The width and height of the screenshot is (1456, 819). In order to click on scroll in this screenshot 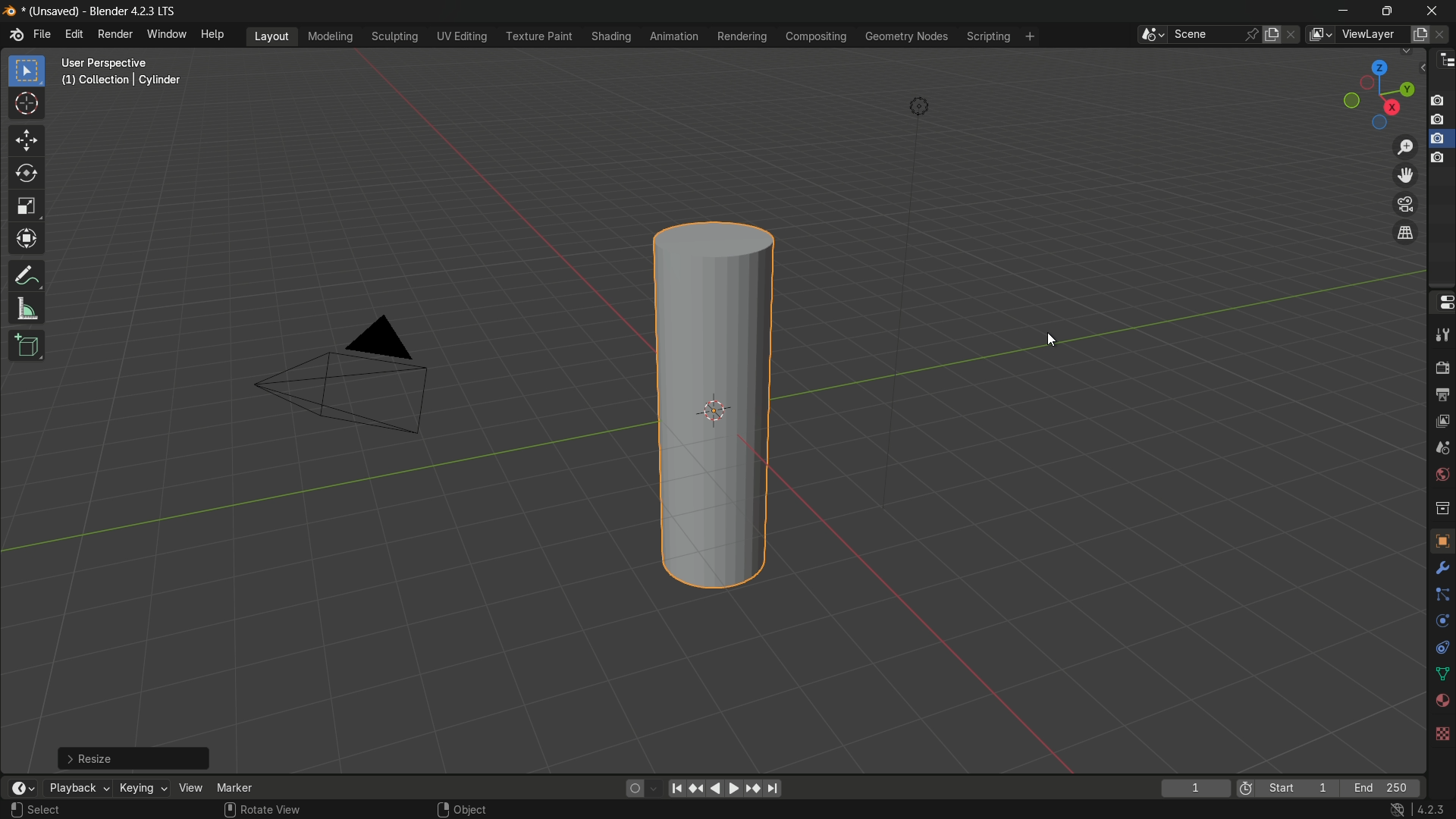, I will do `click(229, 810)`.